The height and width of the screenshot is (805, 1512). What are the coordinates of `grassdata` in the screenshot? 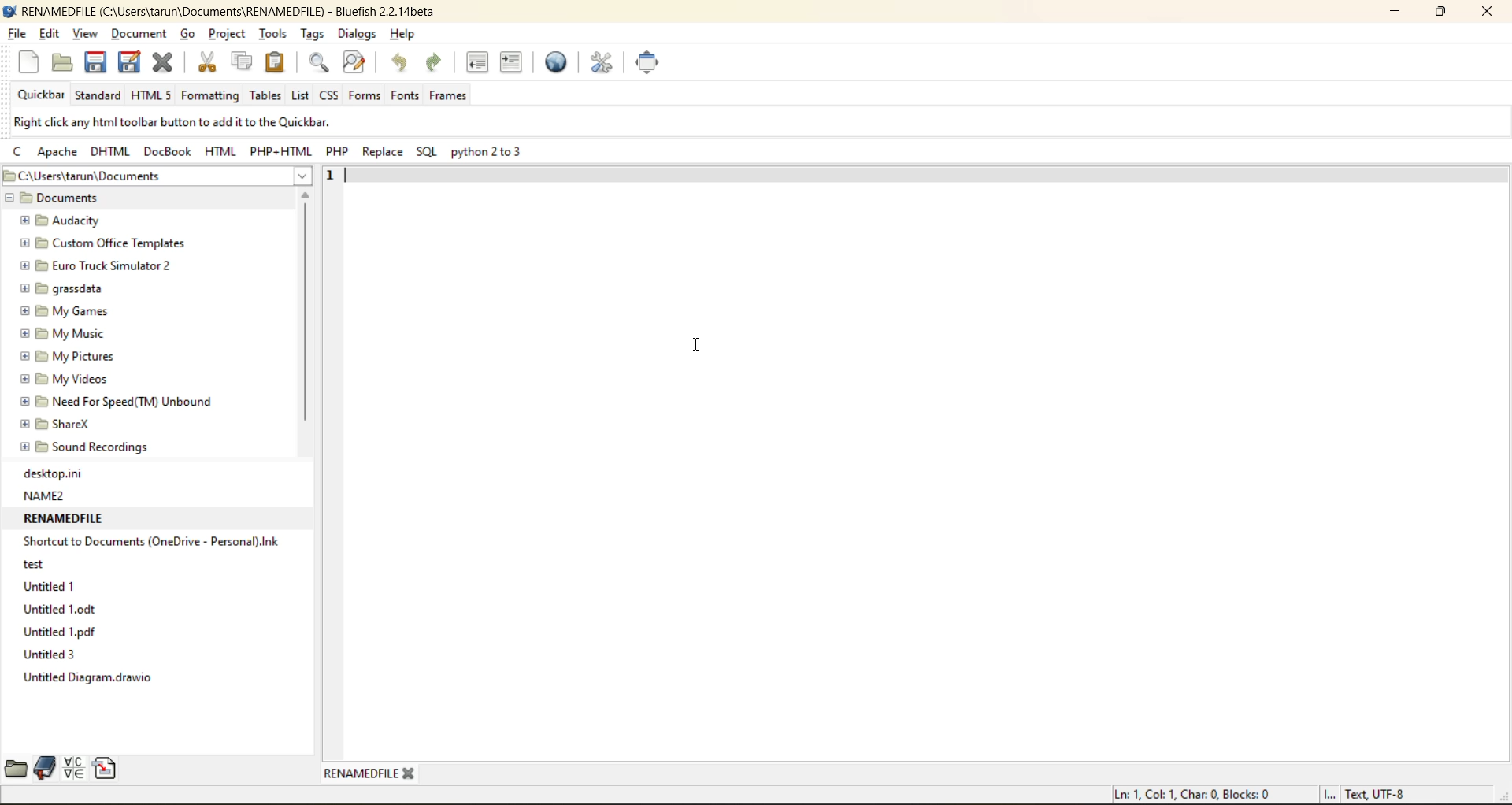 It's located at (68, 287).